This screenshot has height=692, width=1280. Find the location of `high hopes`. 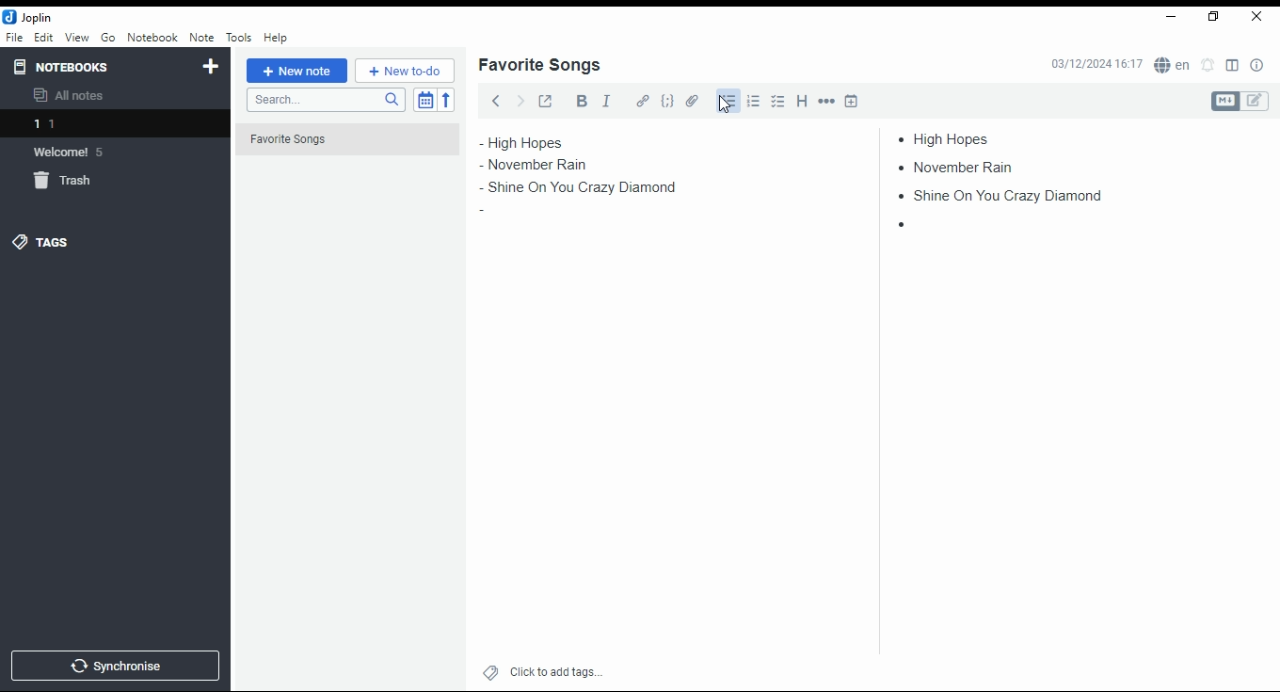

high hopes is located at coordinates (547, 143).